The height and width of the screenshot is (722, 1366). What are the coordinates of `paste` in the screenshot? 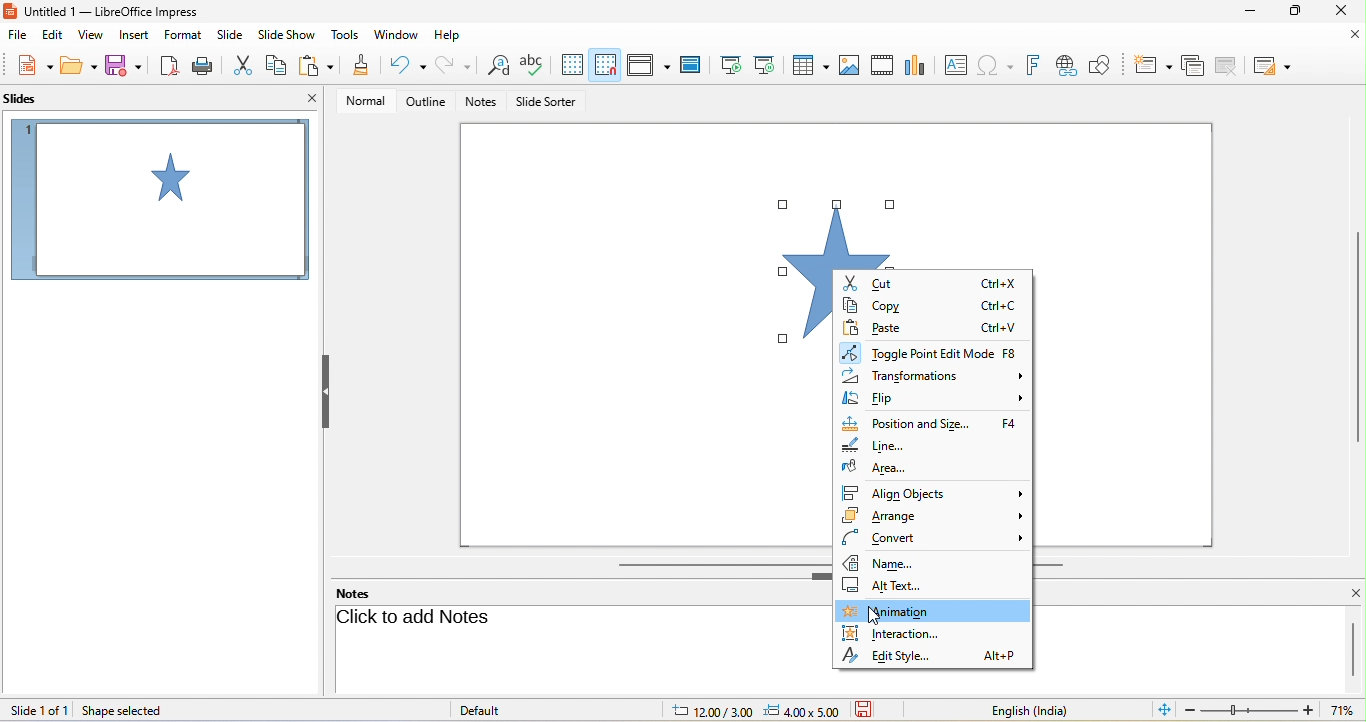 It's located at (928, 327).